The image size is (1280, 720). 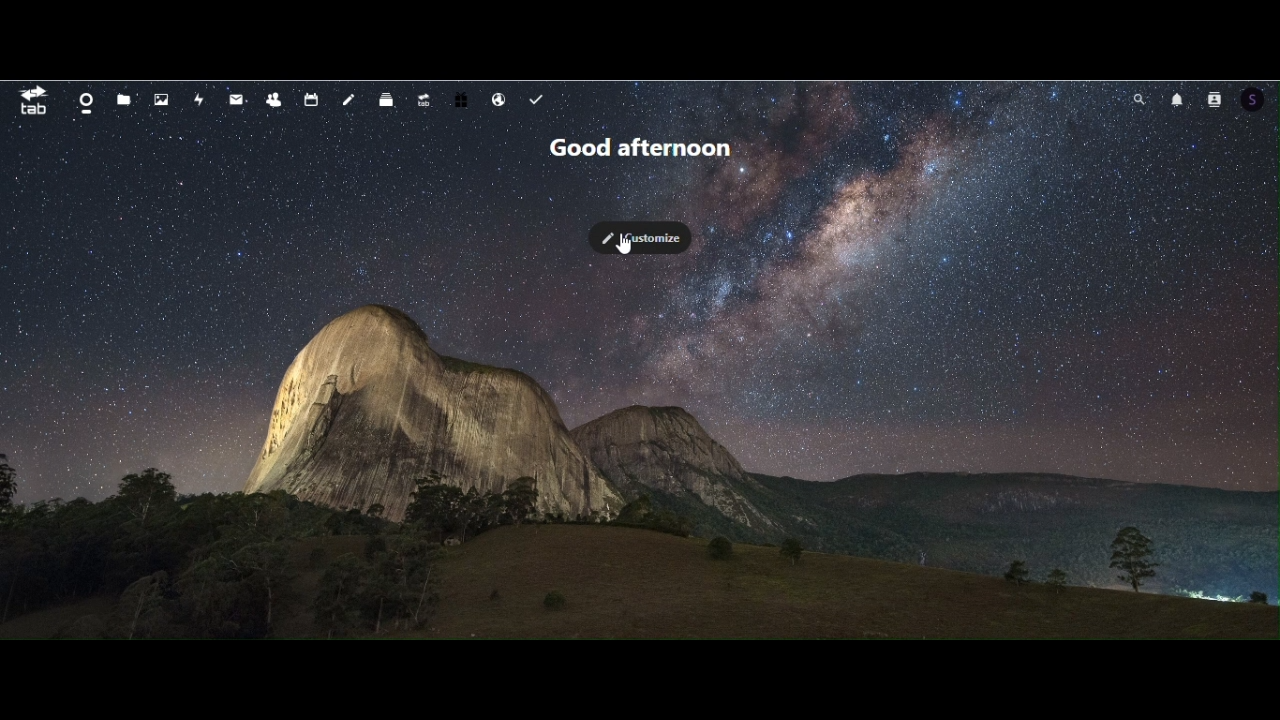 I want to click on contacts, so click(x=1218, y=97).